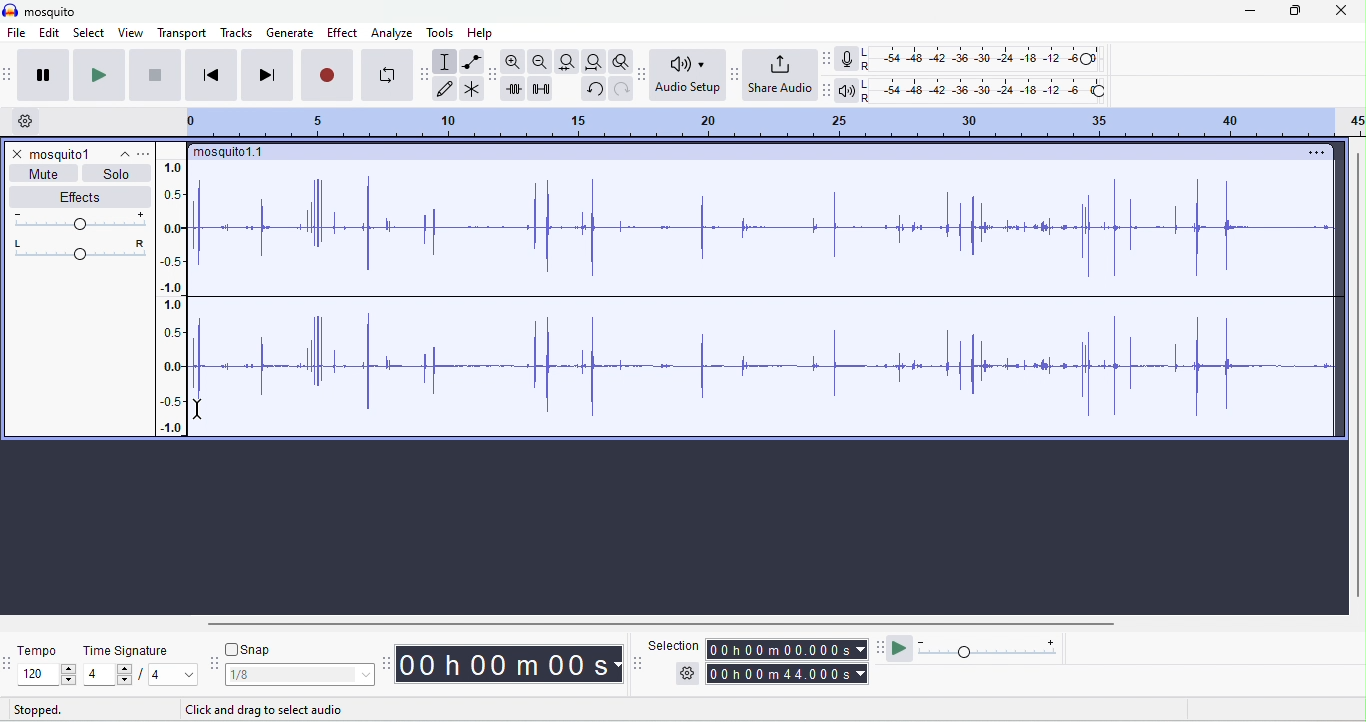 The height and width of the screenshot is (722, 1366). I want to click on short to menu, so click(250, 711).